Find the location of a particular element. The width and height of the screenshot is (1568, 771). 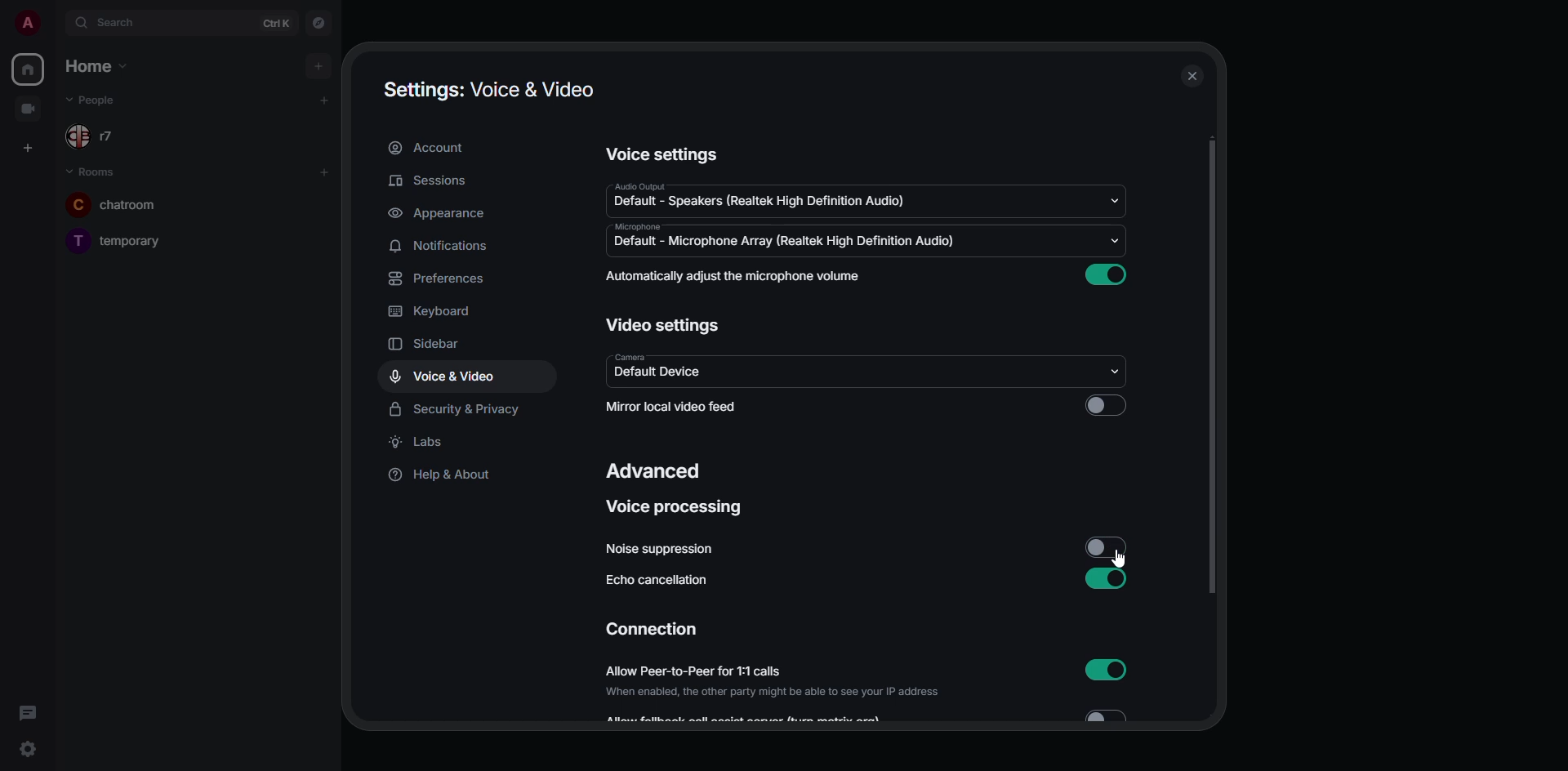

preferences is located at coordinates (437, 279).